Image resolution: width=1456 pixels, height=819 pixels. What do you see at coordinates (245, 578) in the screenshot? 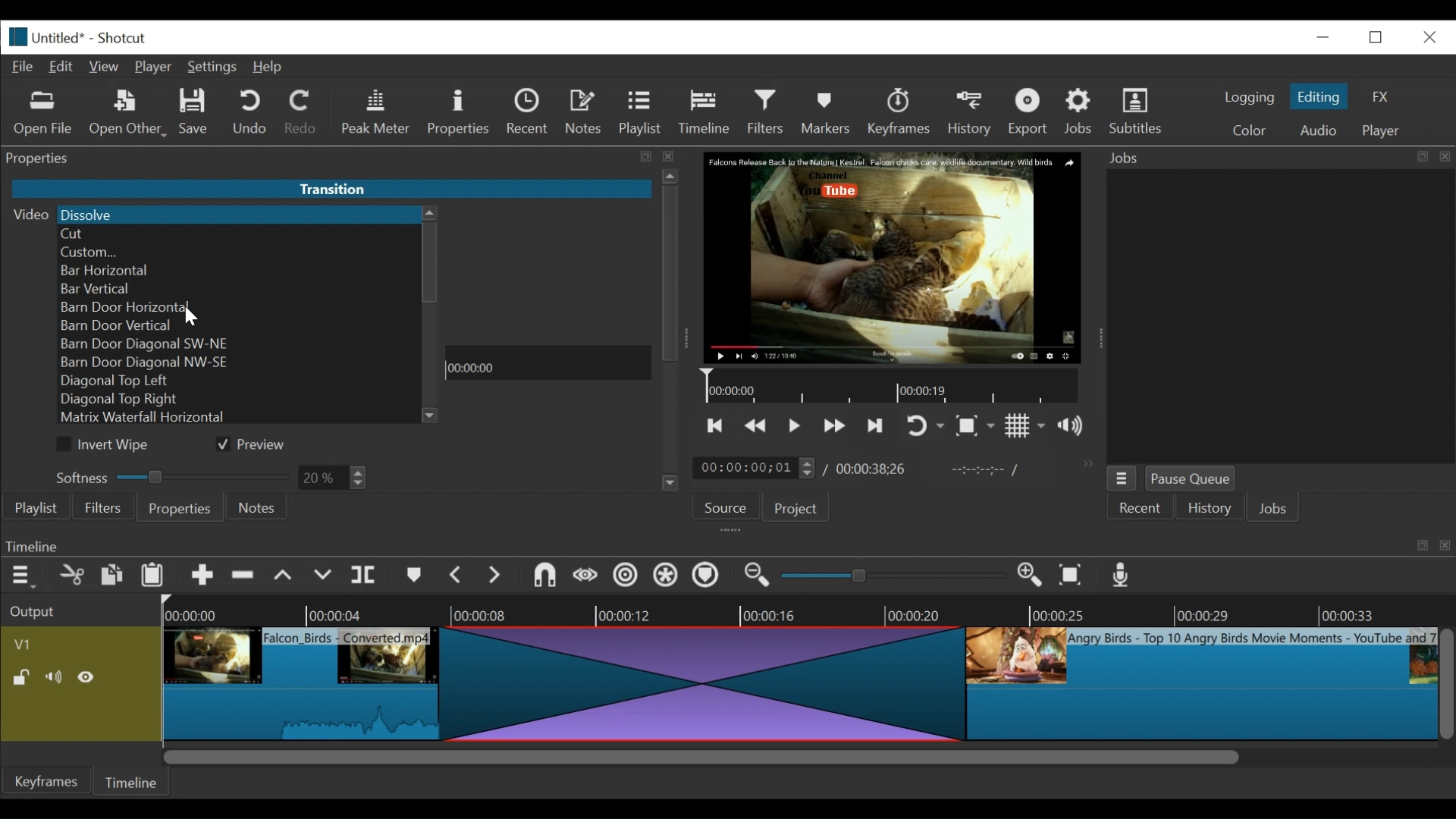
I see `Remove cut` at bounding box center [245, 578].